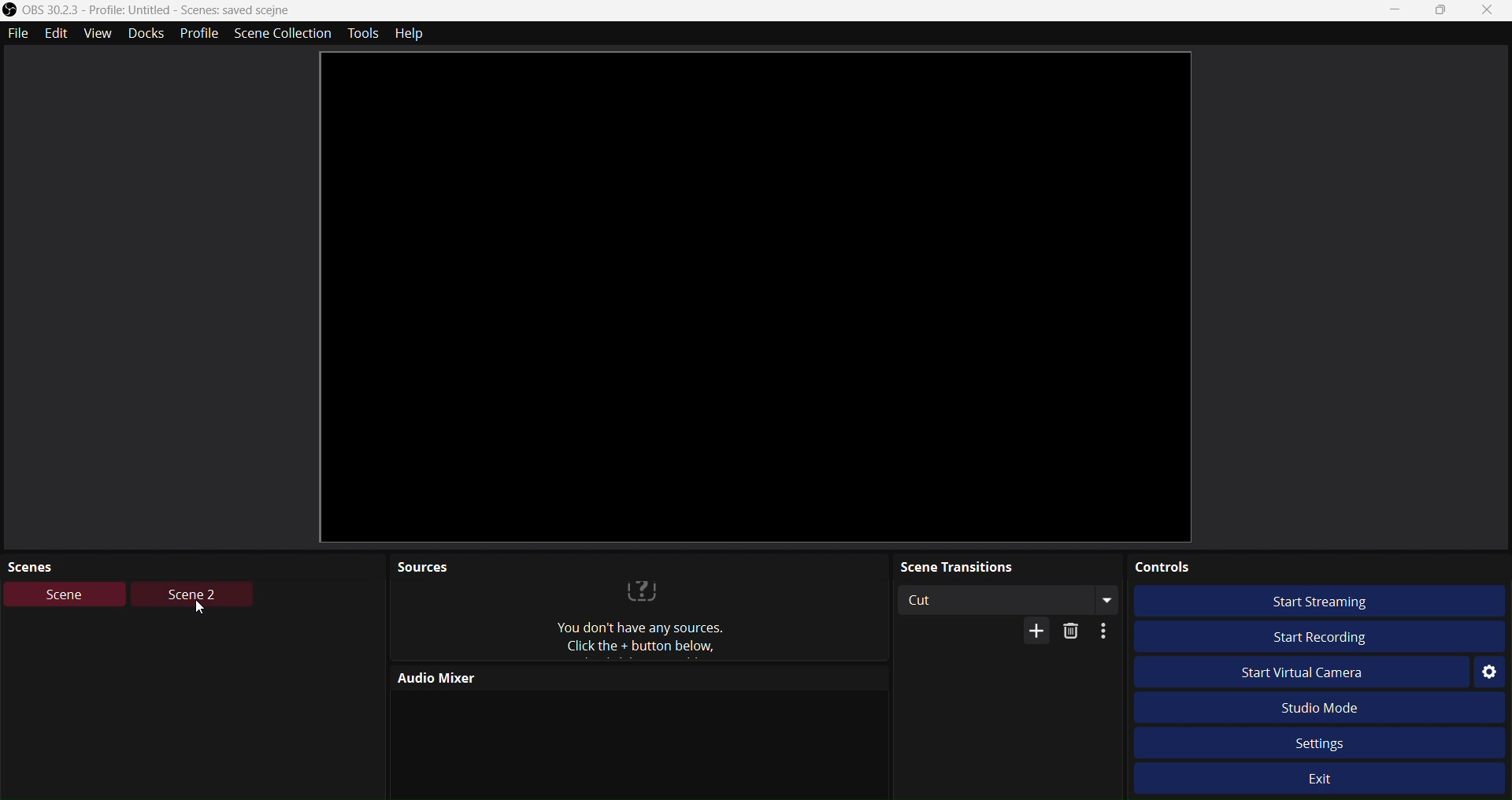 The image size is (1512, 800). Describe the element at coordinates (1326, 602) in the screenshot. I see `Start streaming` at that location.